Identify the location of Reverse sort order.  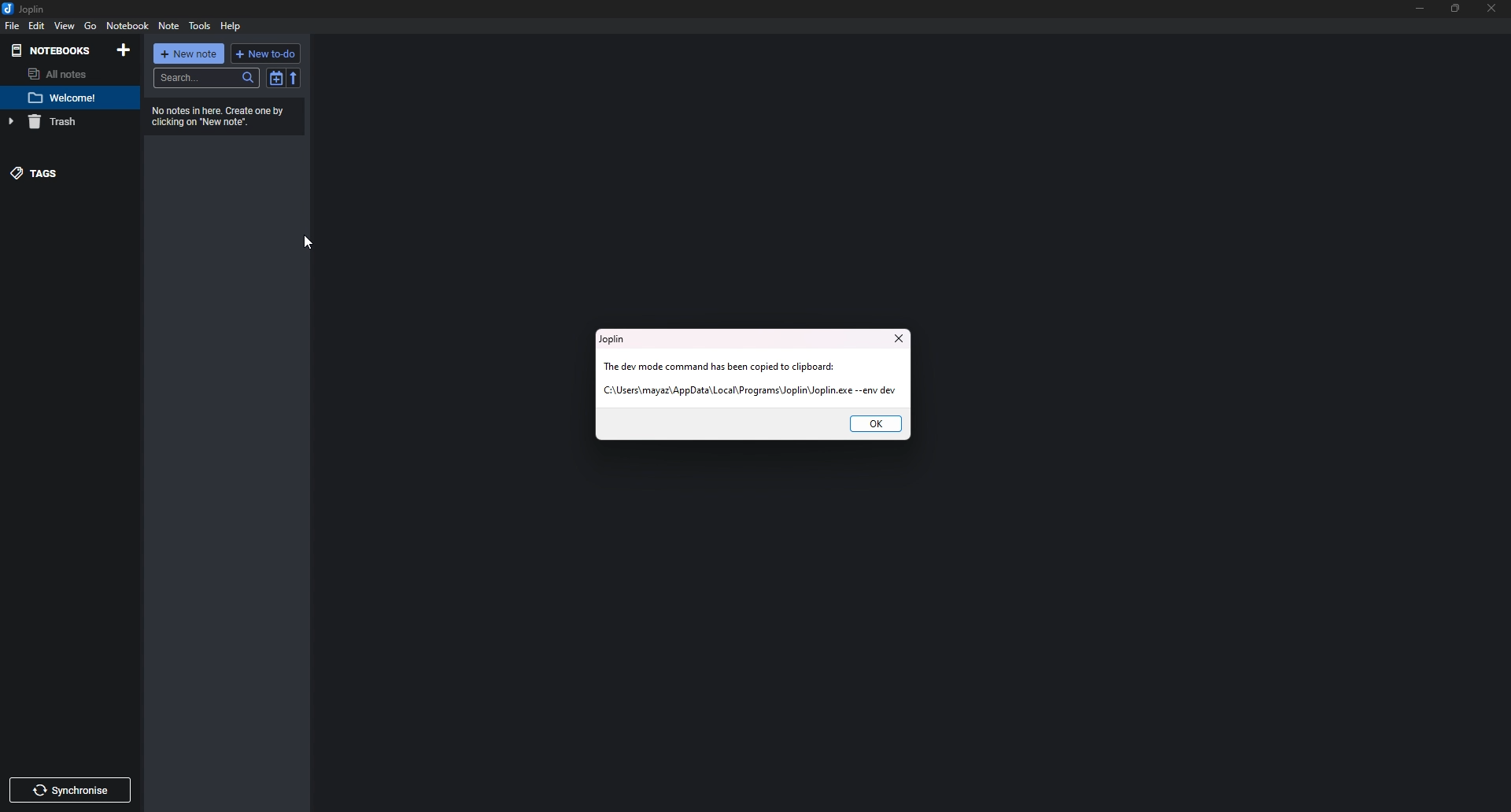
(294, 79).